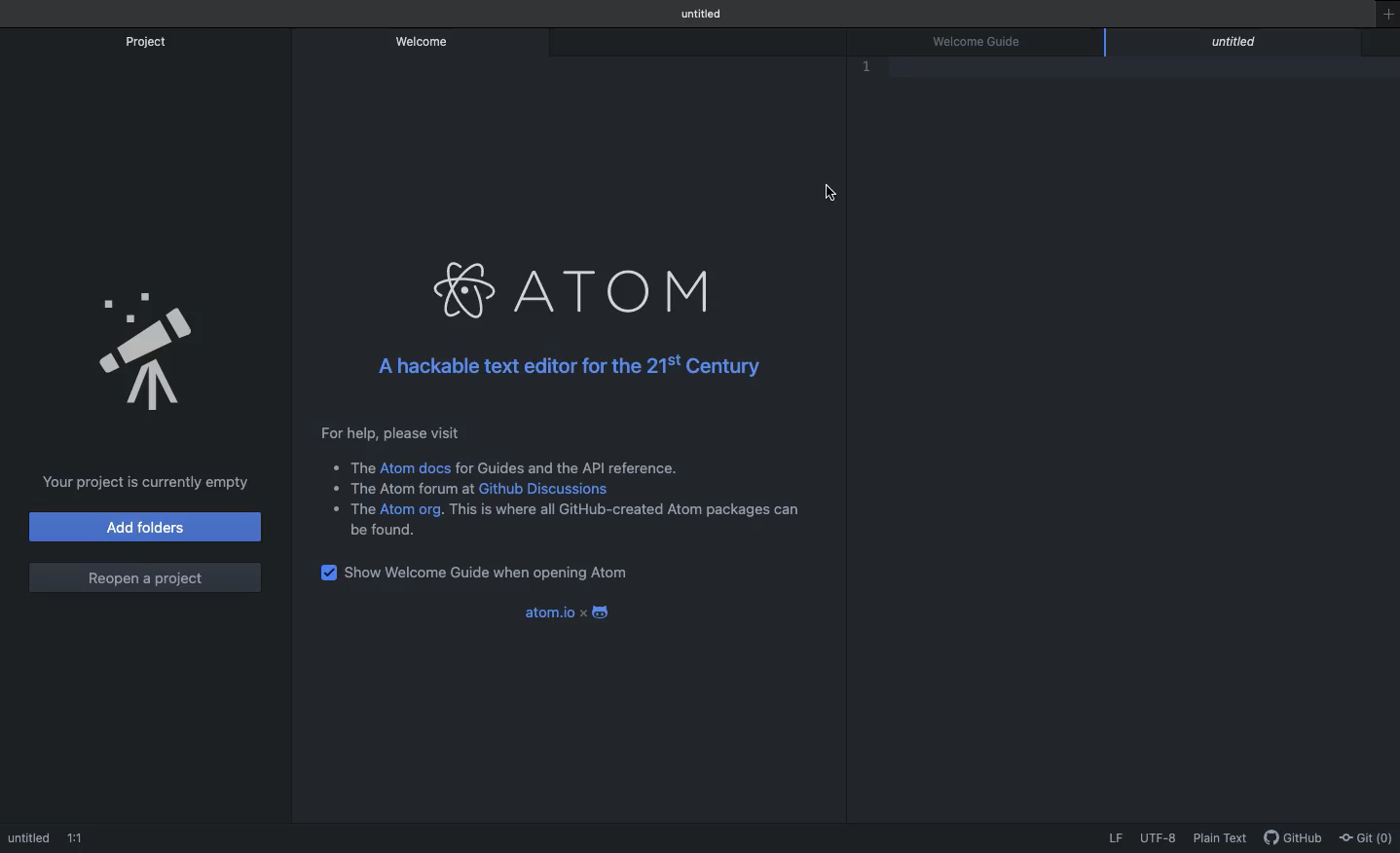 Image resolution: width=1400 pixels, height=853 pixels. Describe the element at coordinates (557, 490) in the screenshot. I see `Github Discussion Link` at that location.